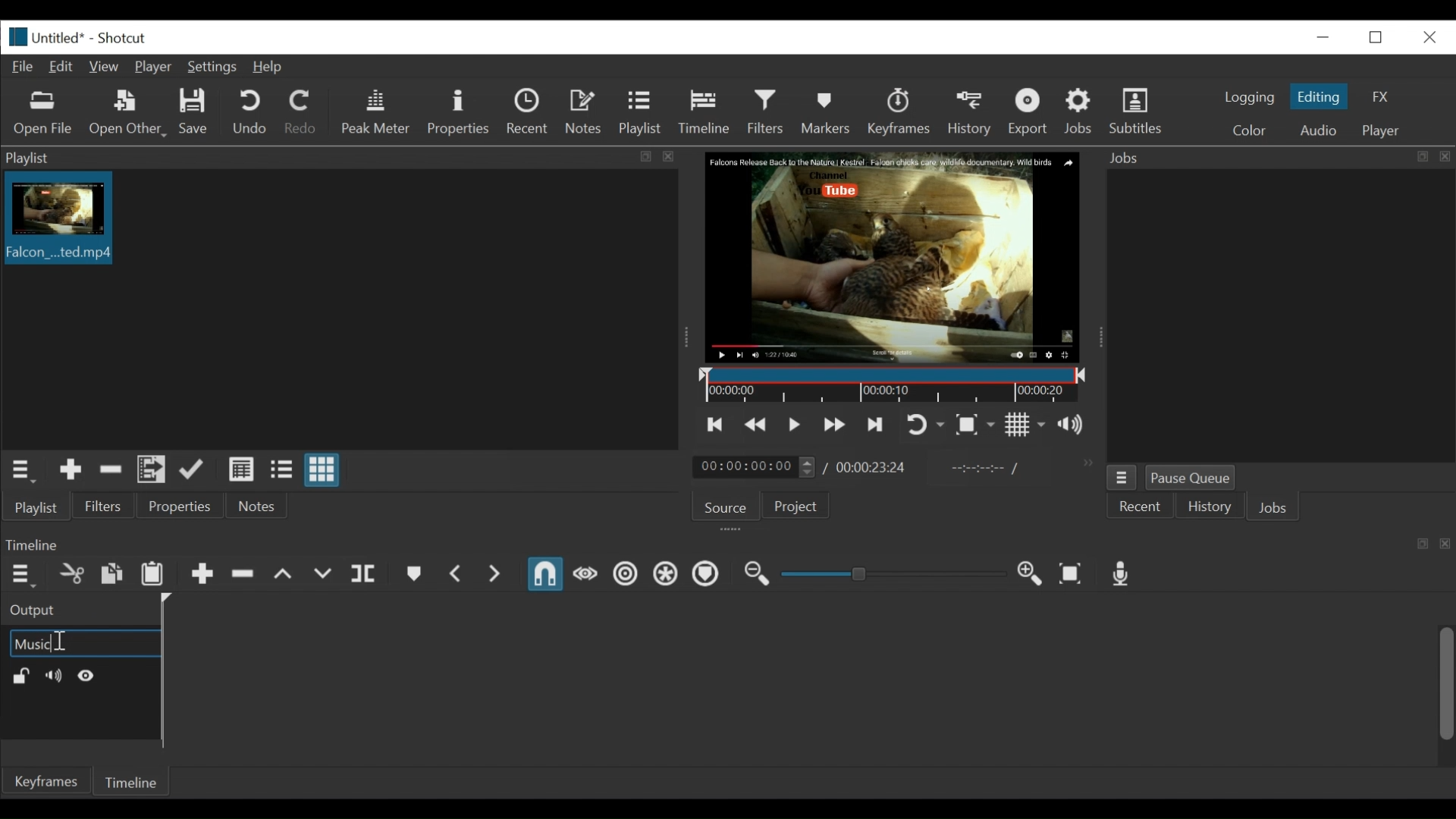 This screenshot has height=819, width=1456. Describe the element at coordinates (665, 574) in the screenshot. I see `Ripple all tracks` at that location.